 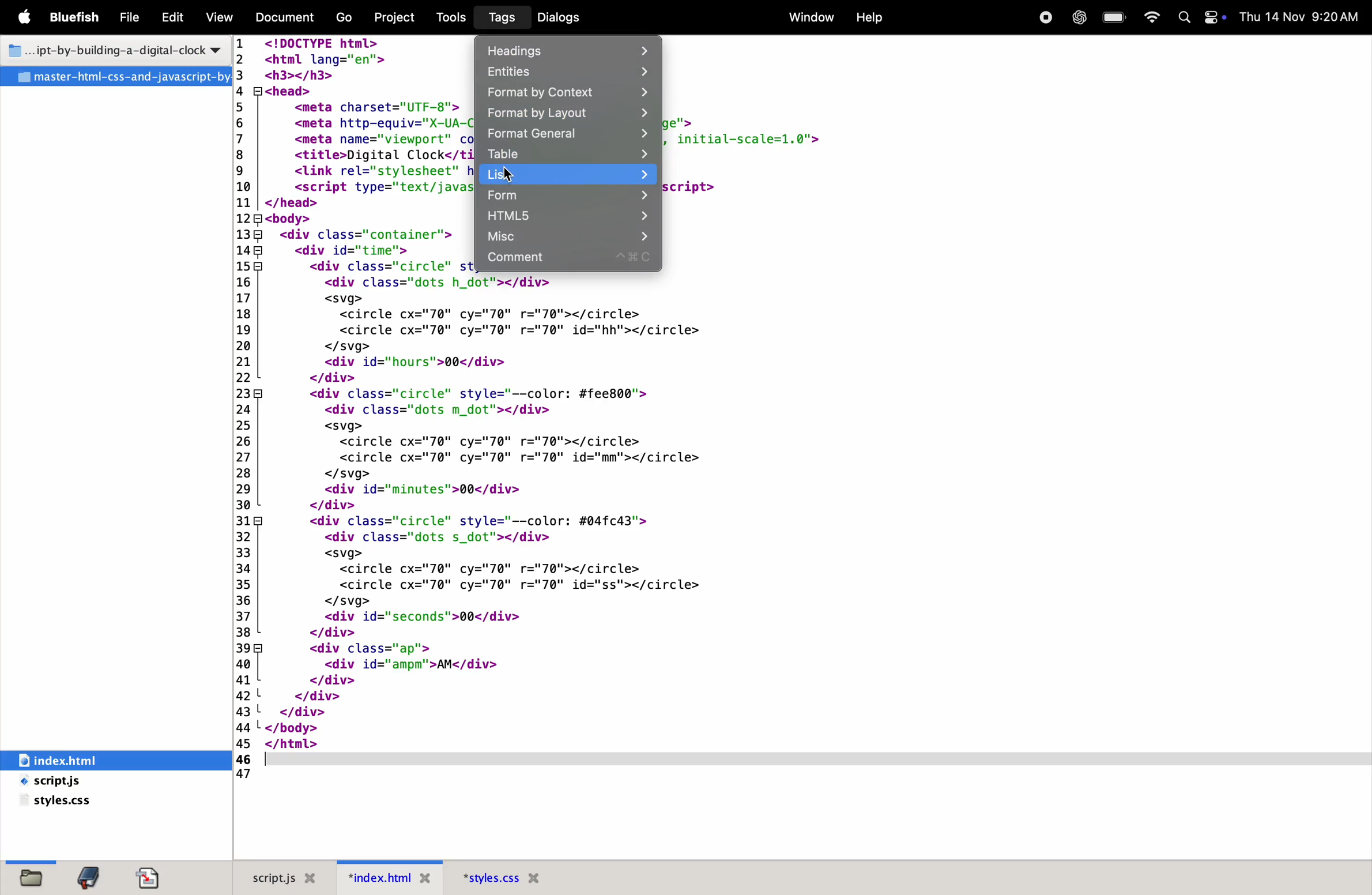 What do you see at coordinates (452, 17) in the screenshot?
I see `tools` at bounding box center [452, 17].